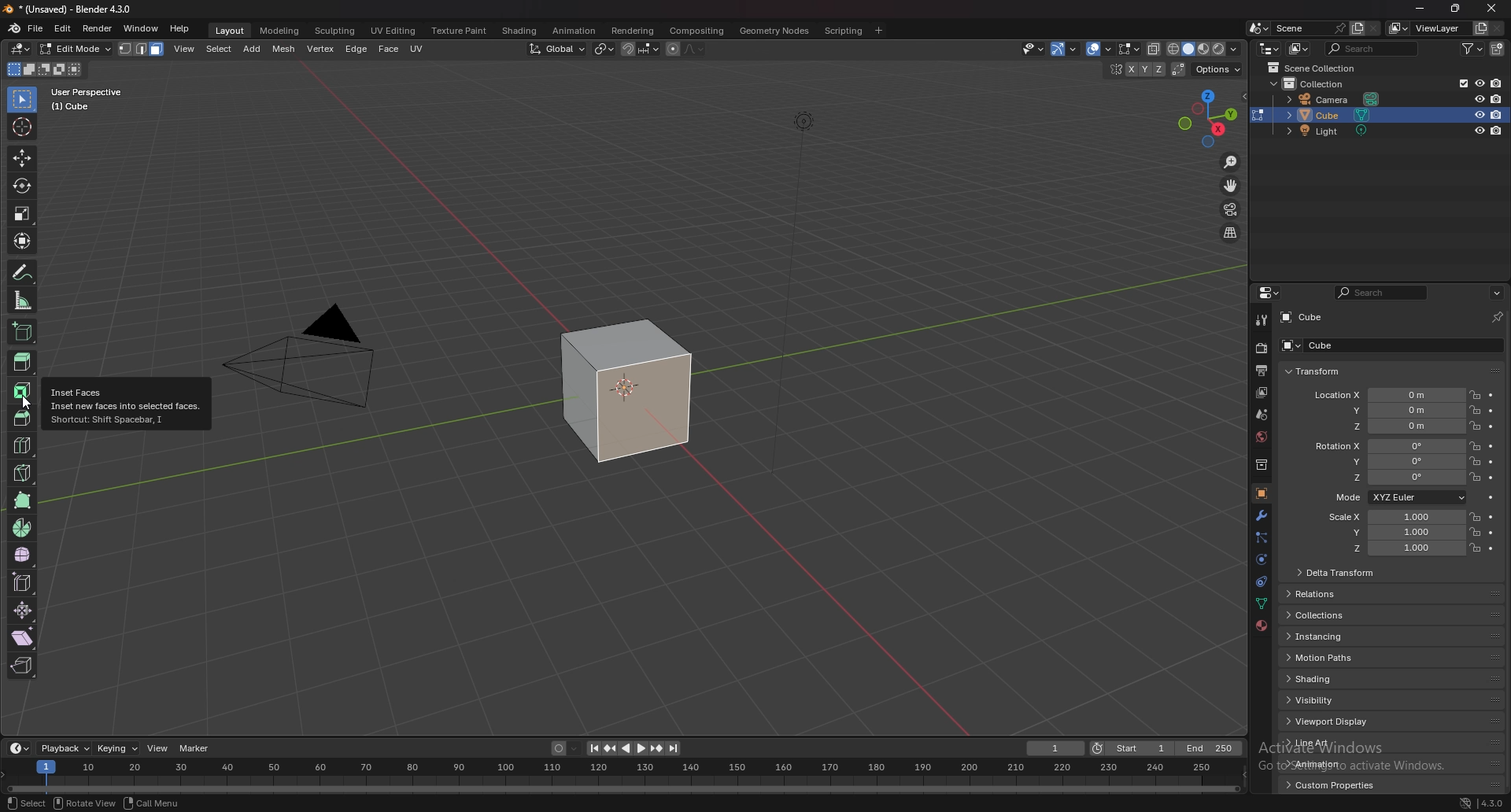  Describe the element at coordinates (22, 213) in the screenshot. I see `scale` at that location.